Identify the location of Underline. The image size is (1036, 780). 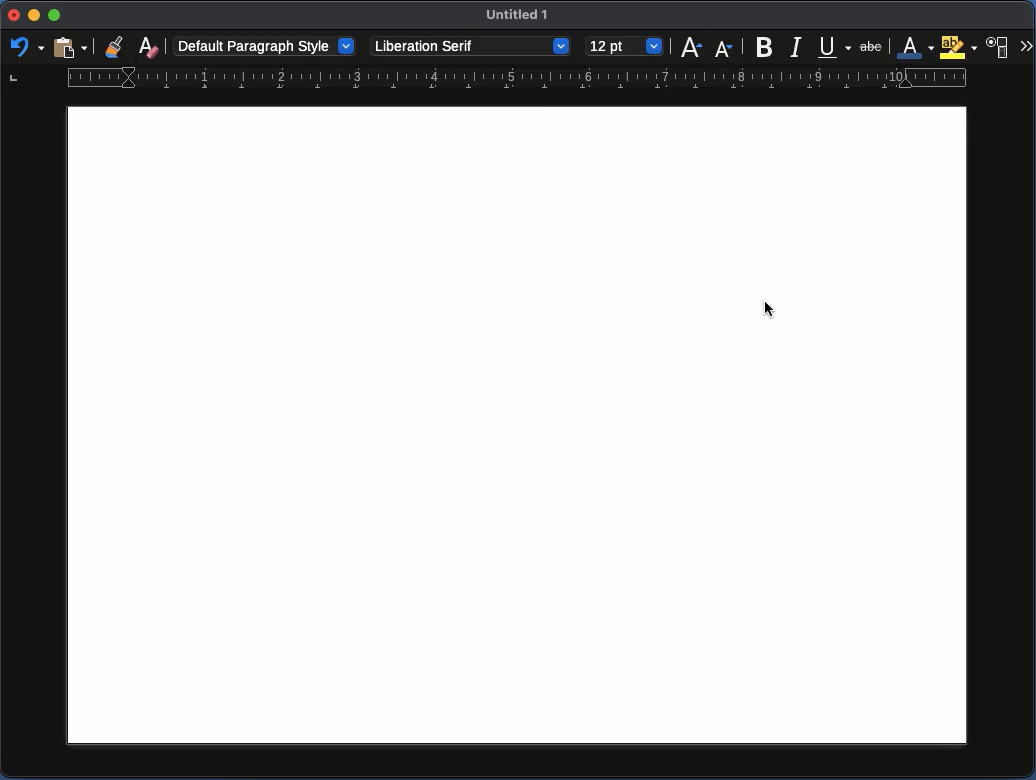
(835, 46).